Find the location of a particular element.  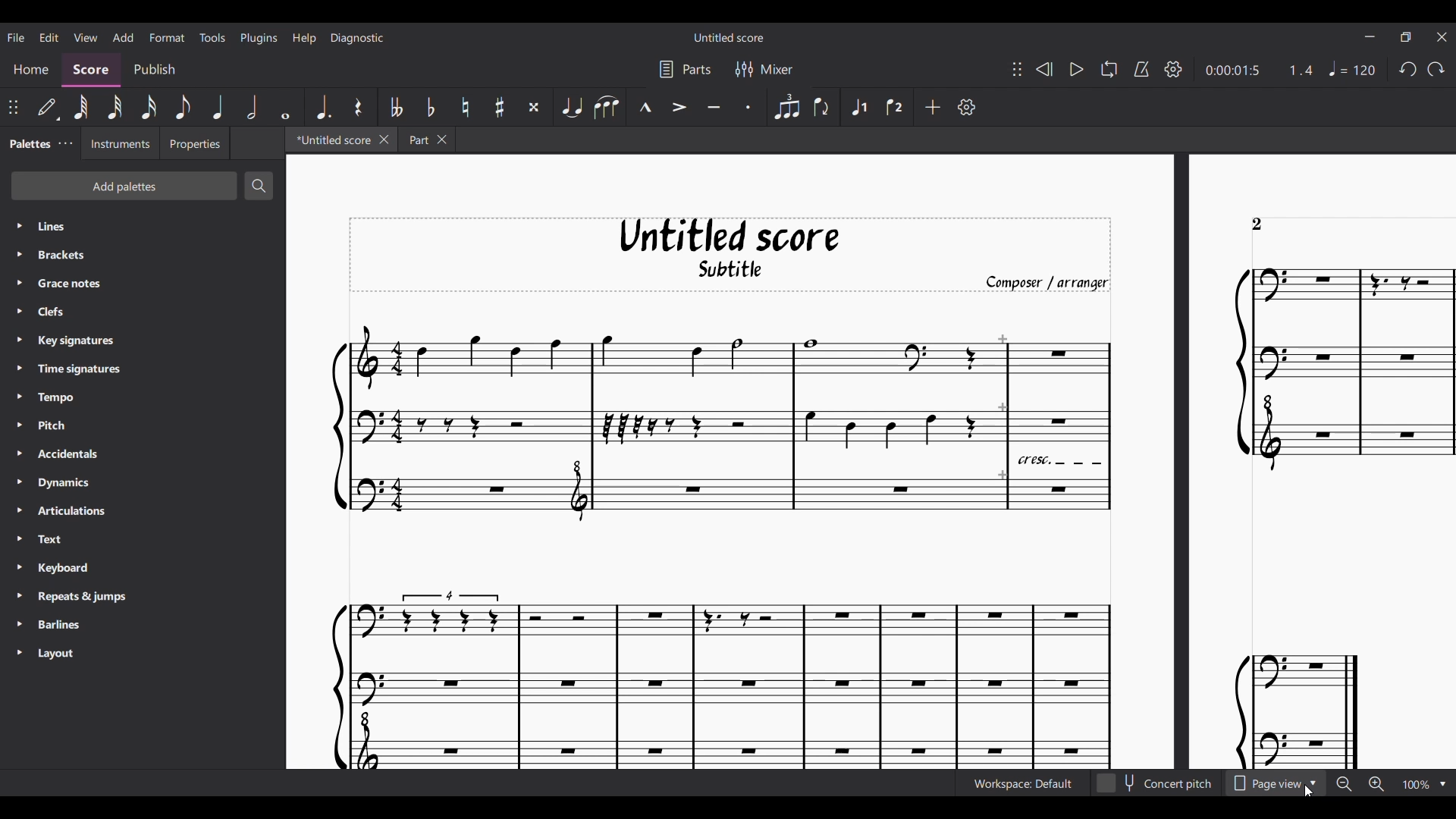

Score title, sub-title, and composer name is located at coordinates (730, 253).